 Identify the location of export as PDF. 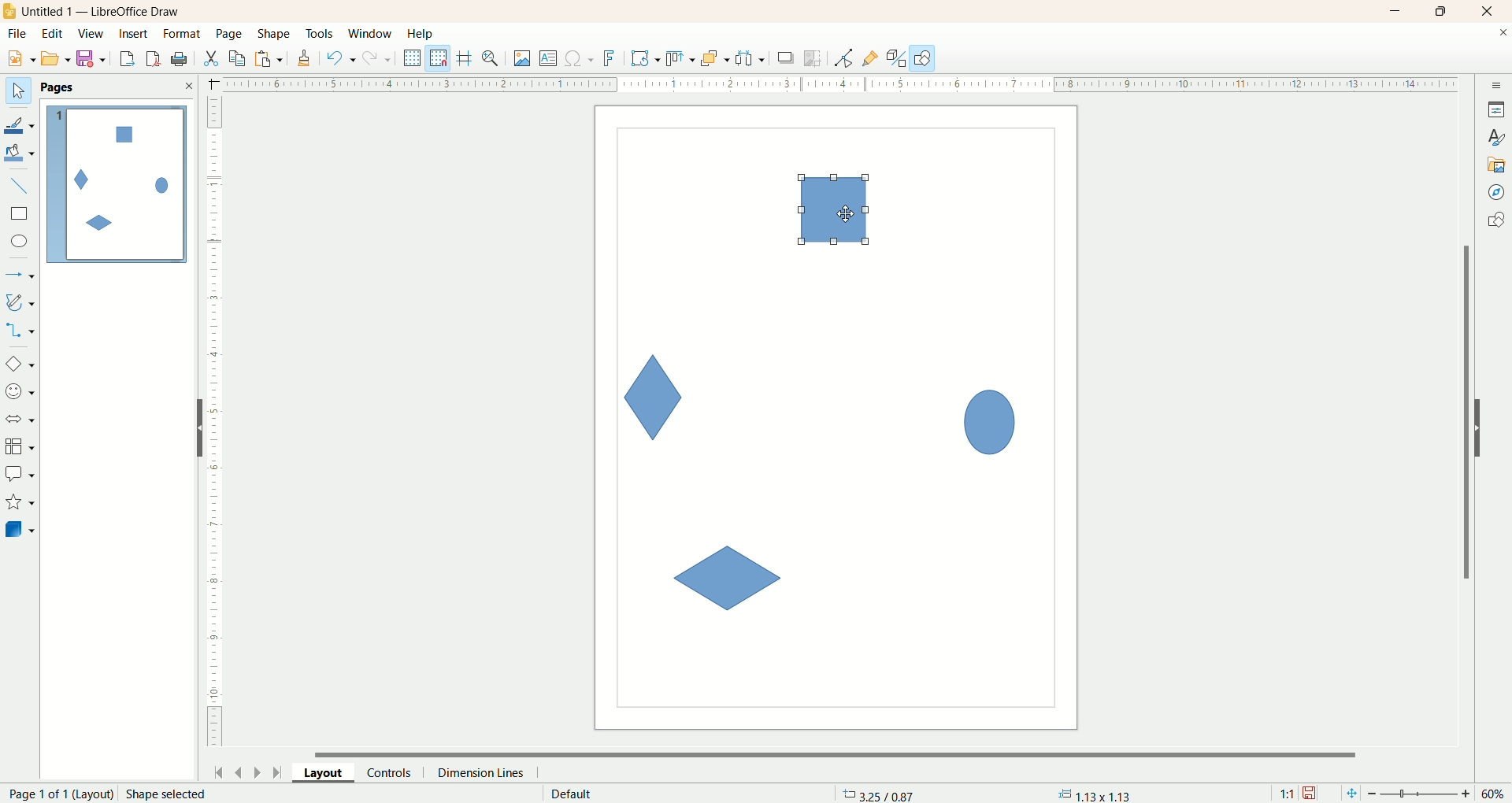
(181, 60).